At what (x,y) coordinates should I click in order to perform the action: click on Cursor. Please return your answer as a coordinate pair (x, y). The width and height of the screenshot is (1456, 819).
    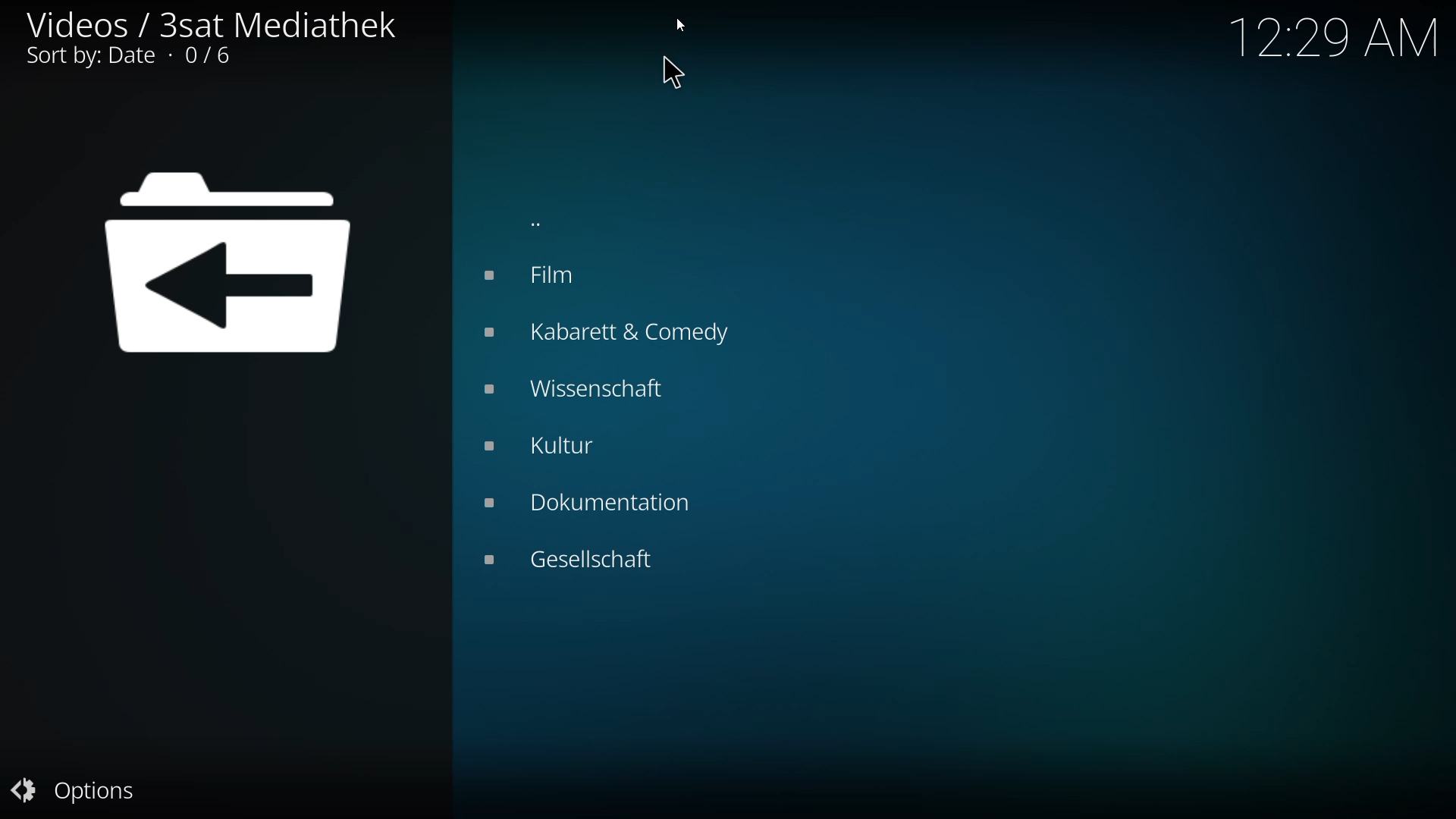
    Looking at the image, I should click on (679, 26).